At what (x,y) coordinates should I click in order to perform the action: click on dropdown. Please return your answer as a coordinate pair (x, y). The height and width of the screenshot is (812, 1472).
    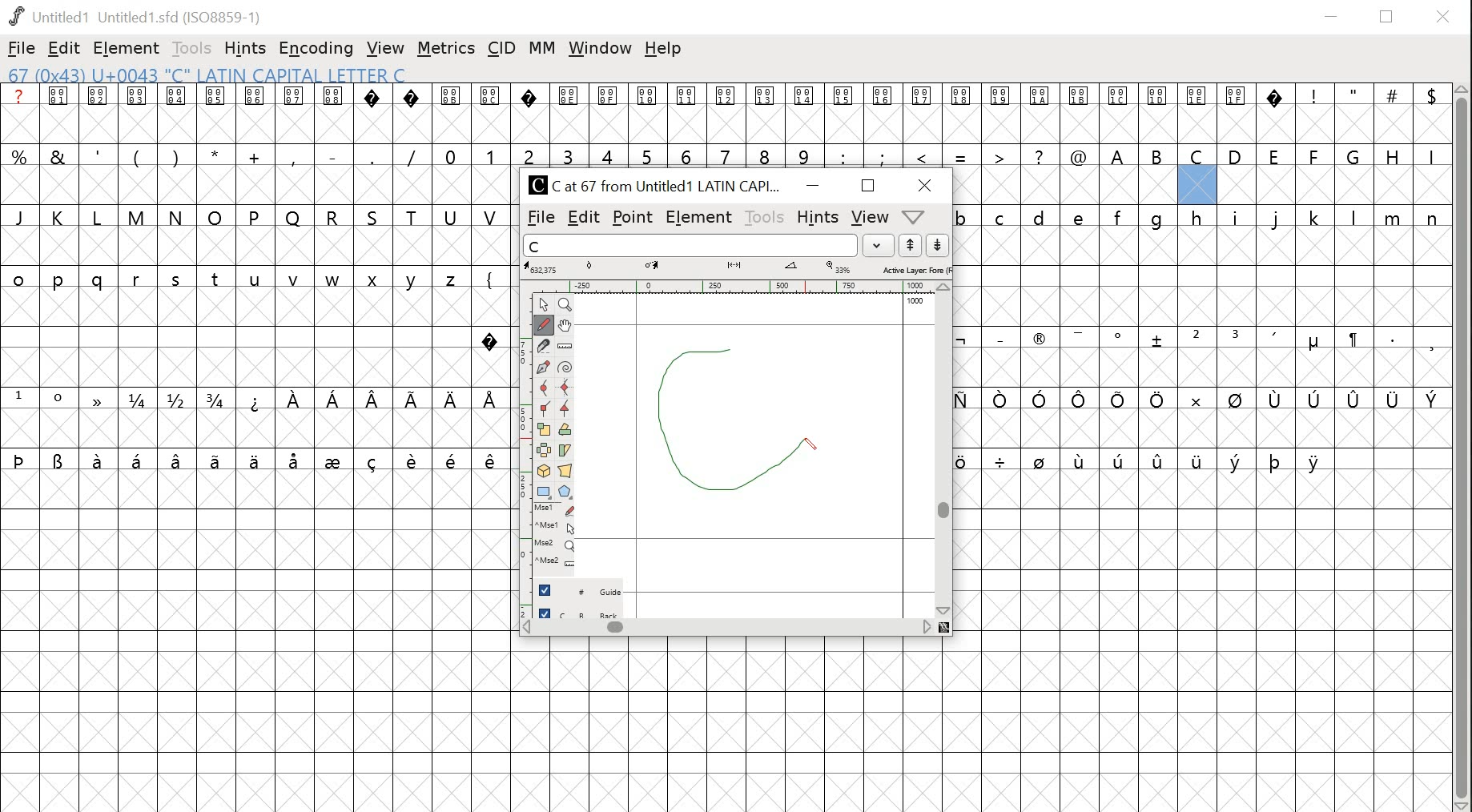
    Looking at the image, I should click on (915, 215).